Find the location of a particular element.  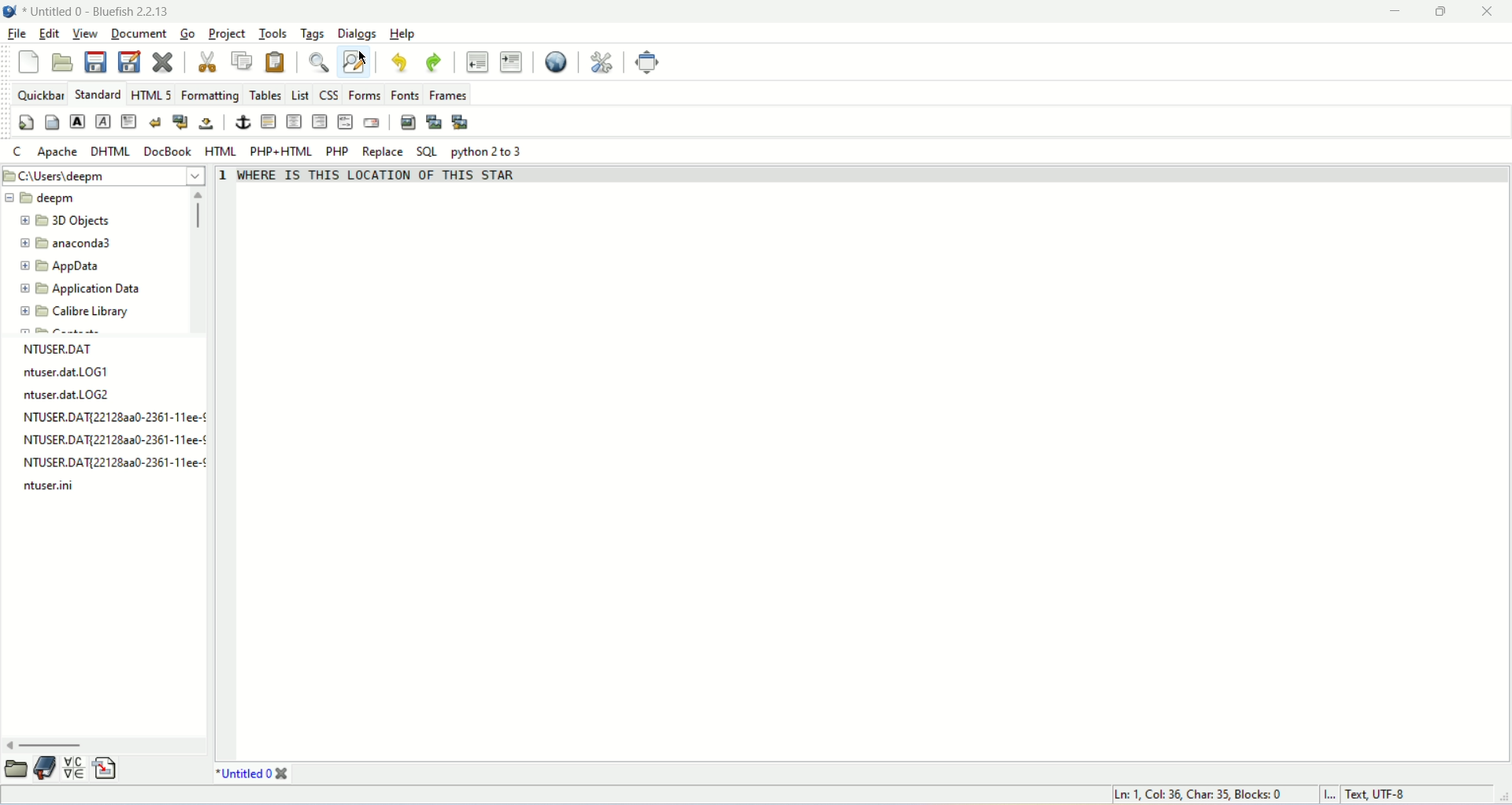

emphasis is located at coordinates (102, 121).